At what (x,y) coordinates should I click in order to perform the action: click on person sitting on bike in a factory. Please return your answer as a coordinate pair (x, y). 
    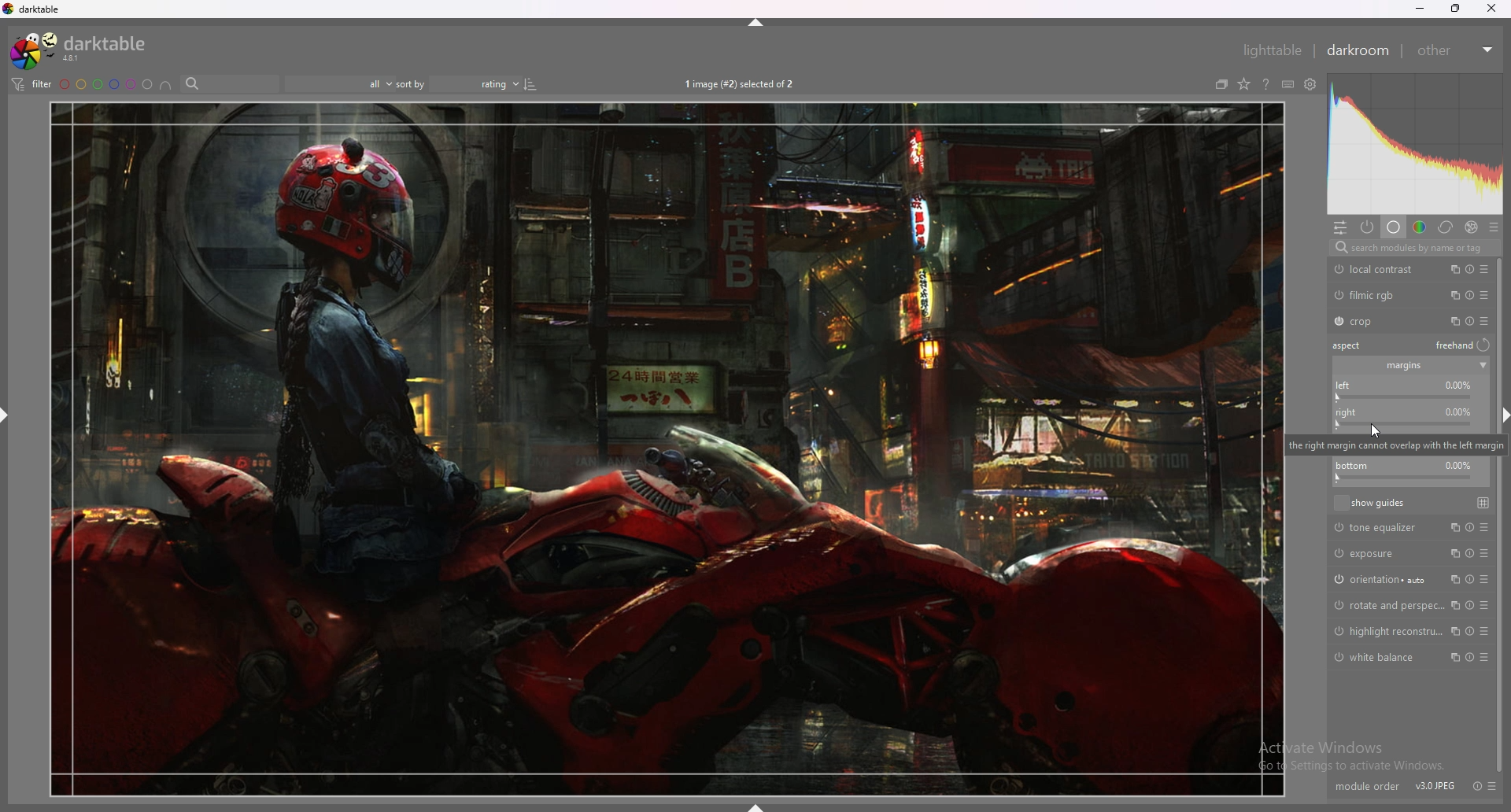
    Looking at the image, I should click on (668, 449).